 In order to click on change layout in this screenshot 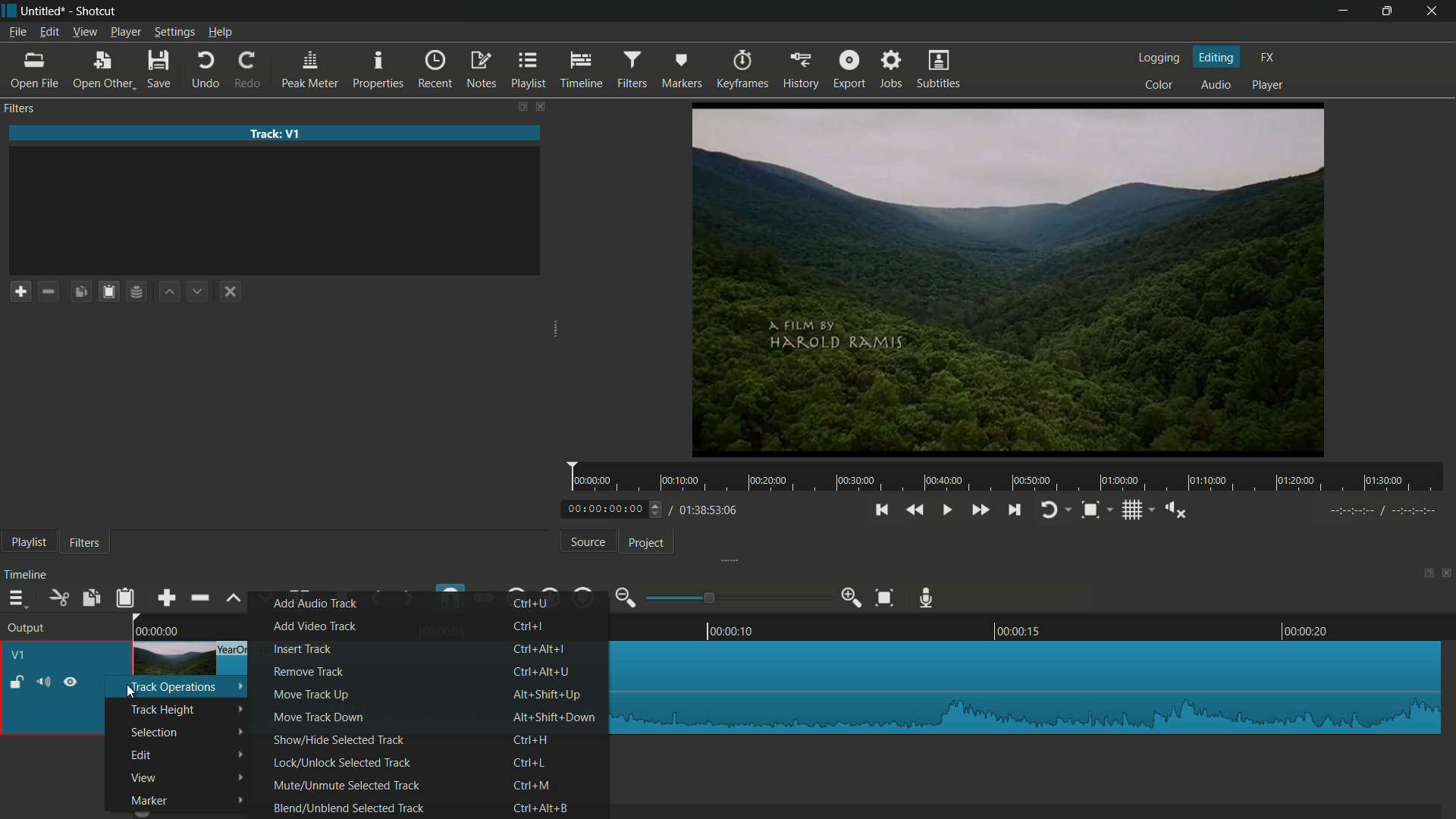, I will do `click(1423, 576)`.